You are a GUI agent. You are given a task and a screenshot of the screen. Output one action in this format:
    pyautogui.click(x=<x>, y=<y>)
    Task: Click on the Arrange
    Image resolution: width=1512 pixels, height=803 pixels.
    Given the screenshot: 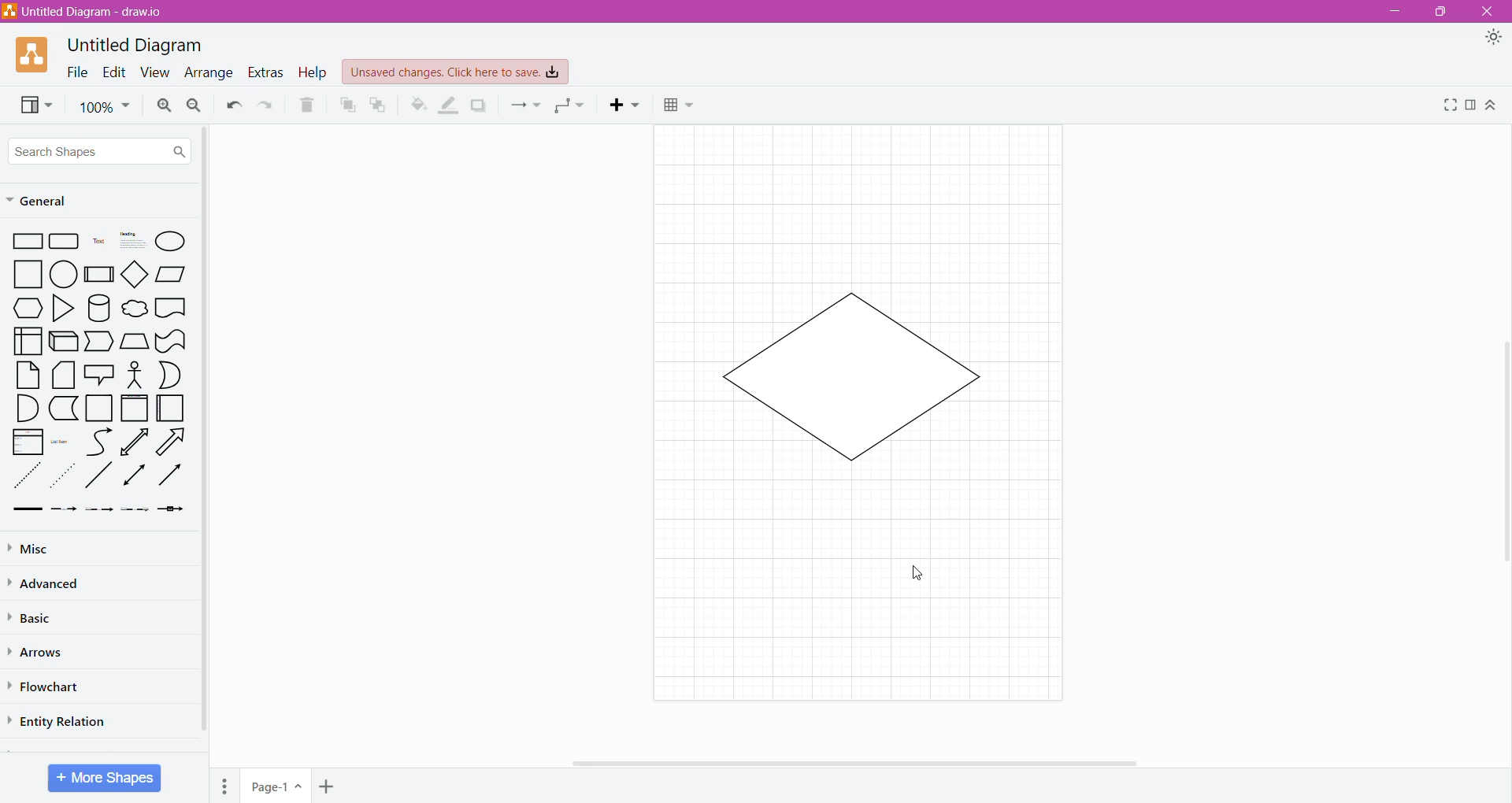 What is the action you would take?
    pyautogui.click(x=209, y=74)
    